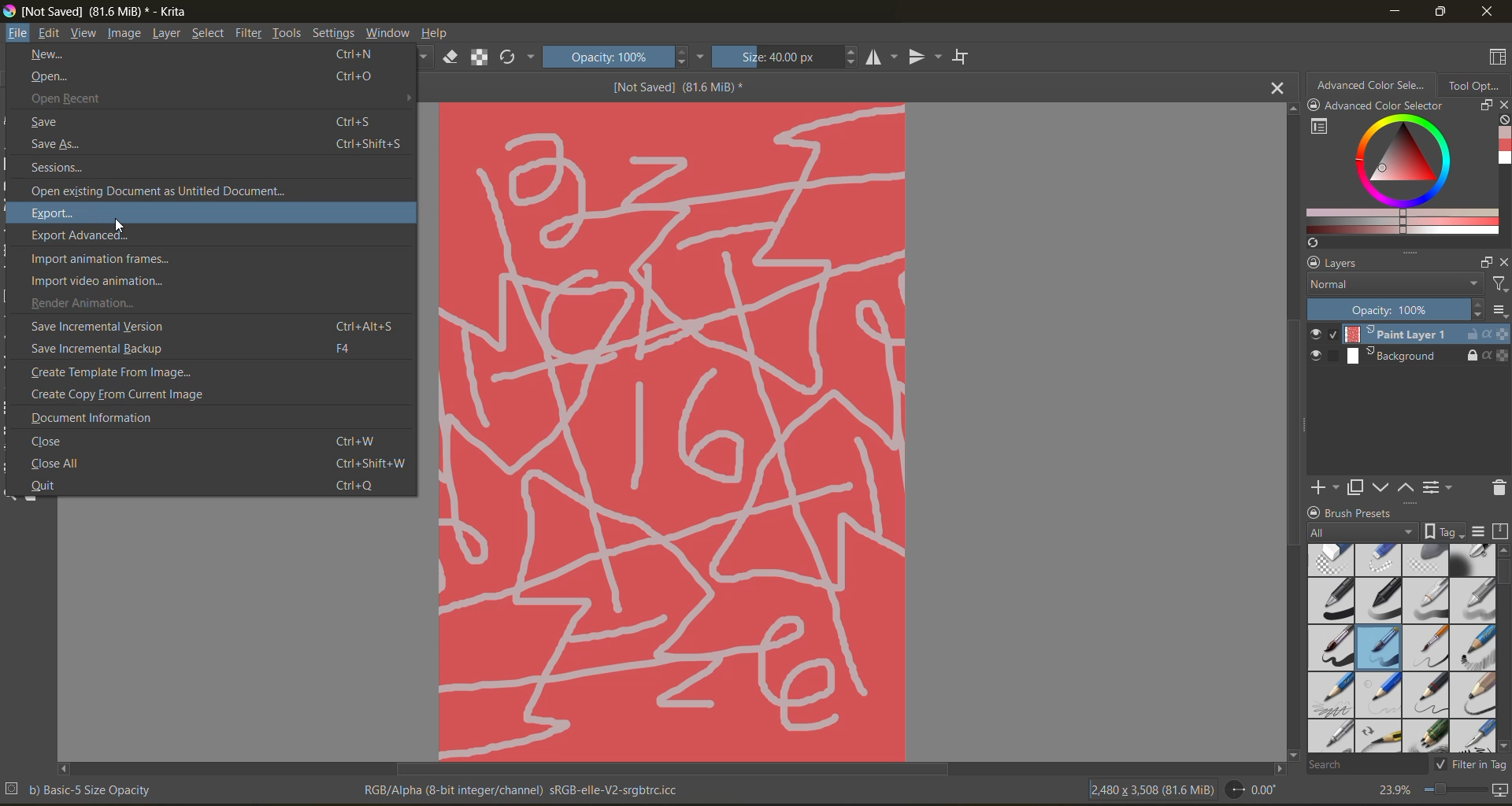  What do you see at coordinates (126, 33) in the screenshot?
I see `image` at bounding box center [126, 33].